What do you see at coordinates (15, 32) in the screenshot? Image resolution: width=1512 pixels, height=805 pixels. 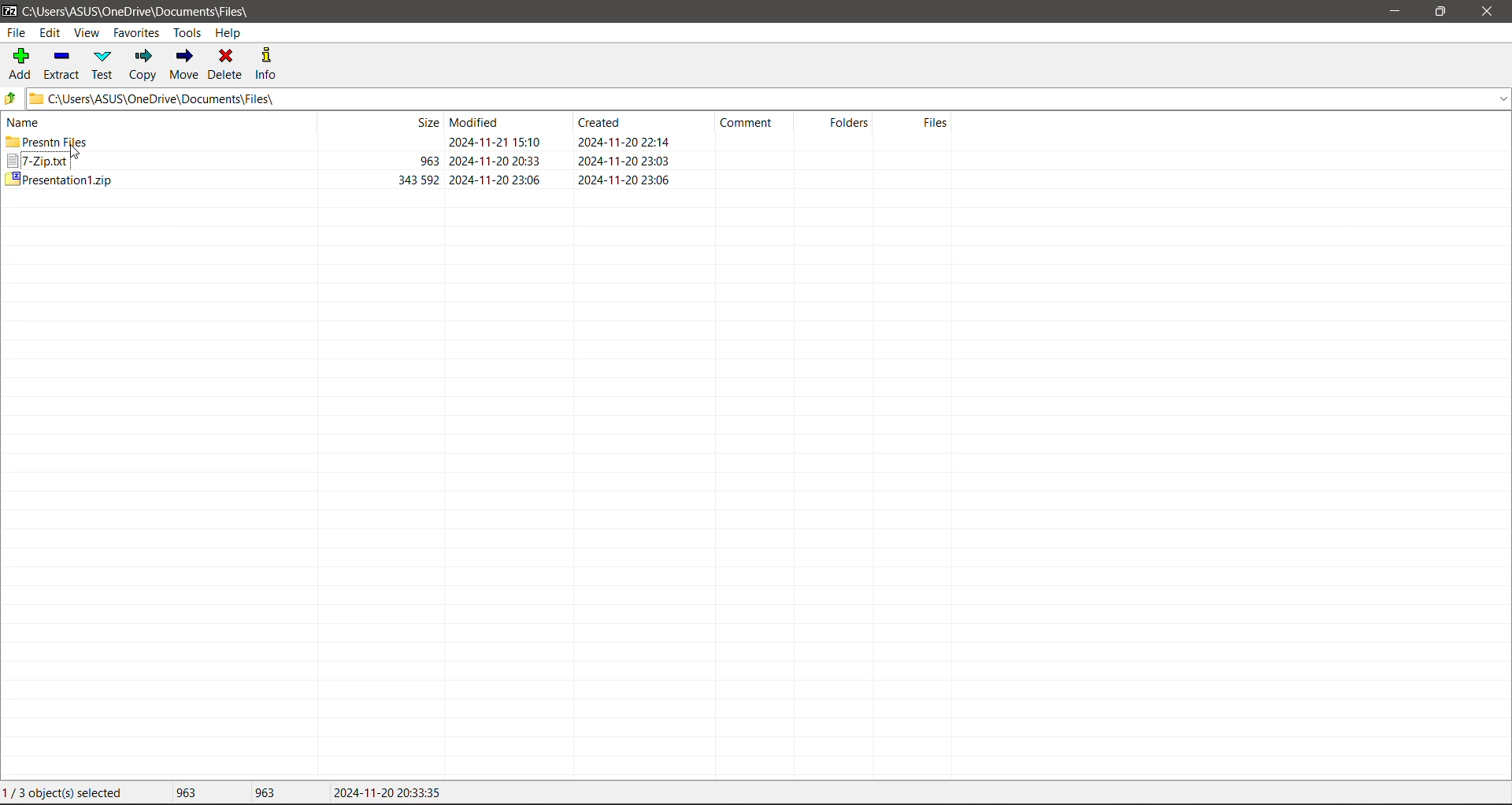 I see `File` at bounding box center [15, 32].